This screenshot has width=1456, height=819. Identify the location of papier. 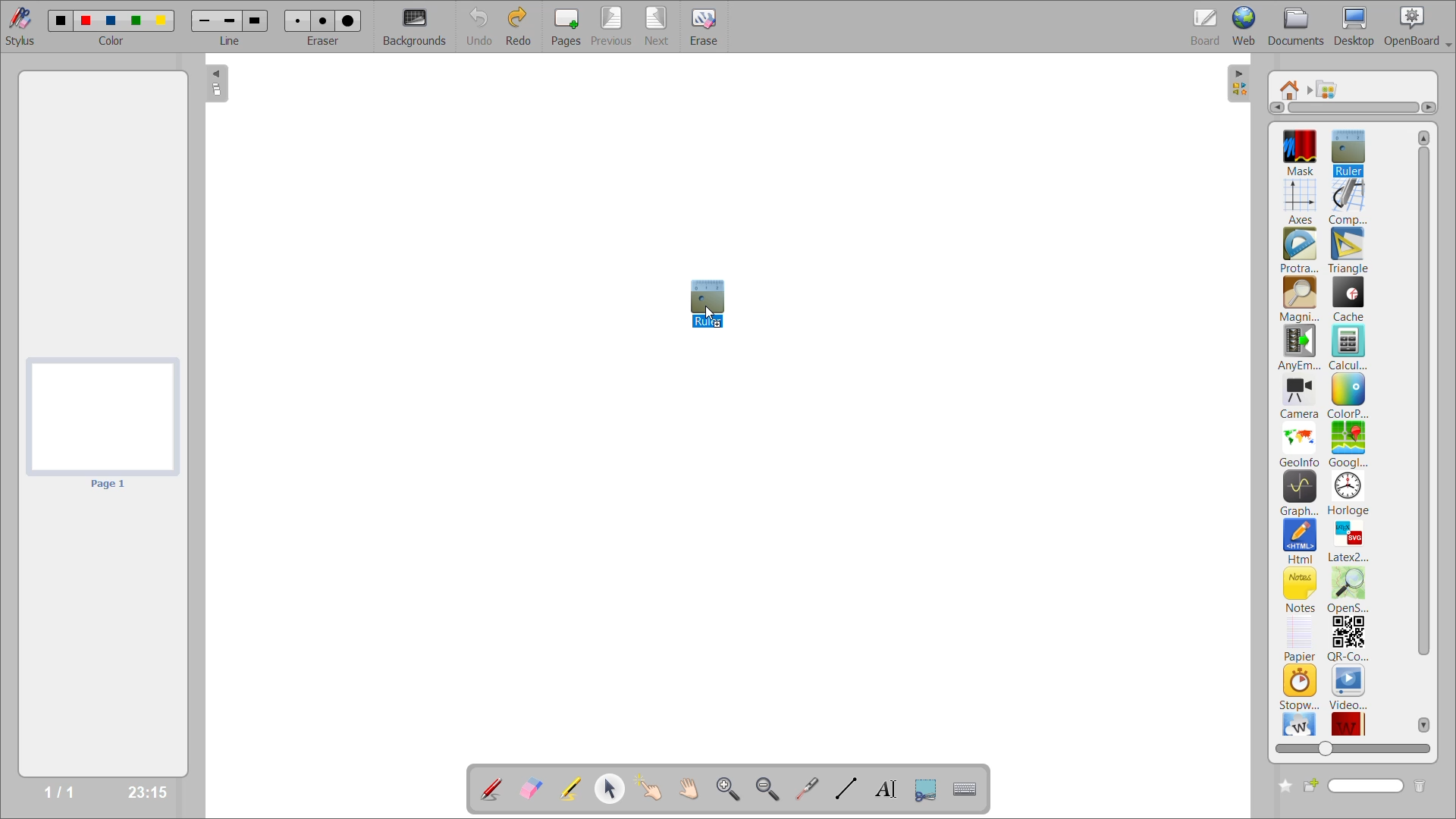
(1299, 639).